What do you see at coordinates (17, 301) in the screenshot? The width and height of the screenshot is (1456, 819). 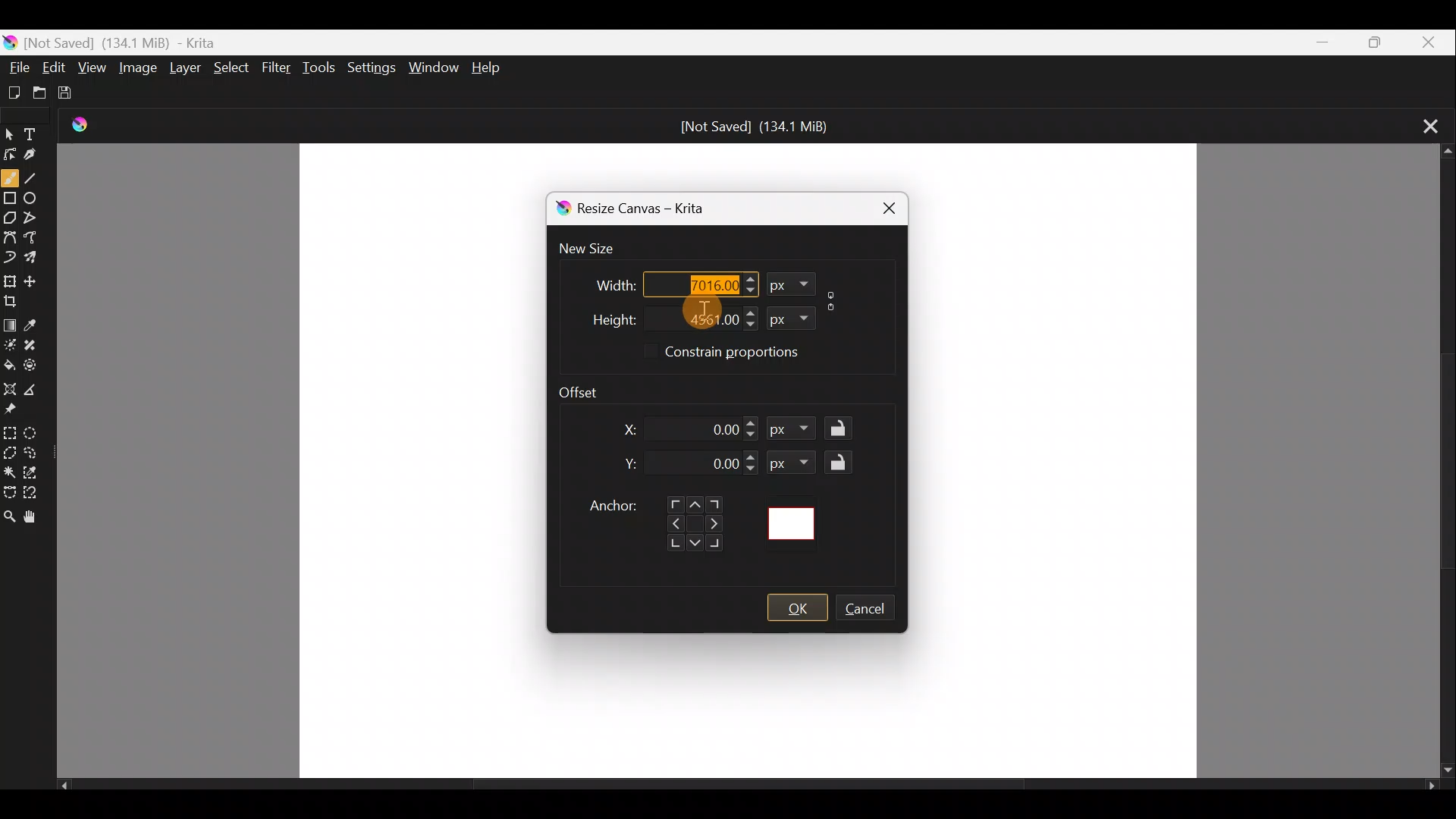 I see `Crop the image to an area` at bounding box center [17, 301].